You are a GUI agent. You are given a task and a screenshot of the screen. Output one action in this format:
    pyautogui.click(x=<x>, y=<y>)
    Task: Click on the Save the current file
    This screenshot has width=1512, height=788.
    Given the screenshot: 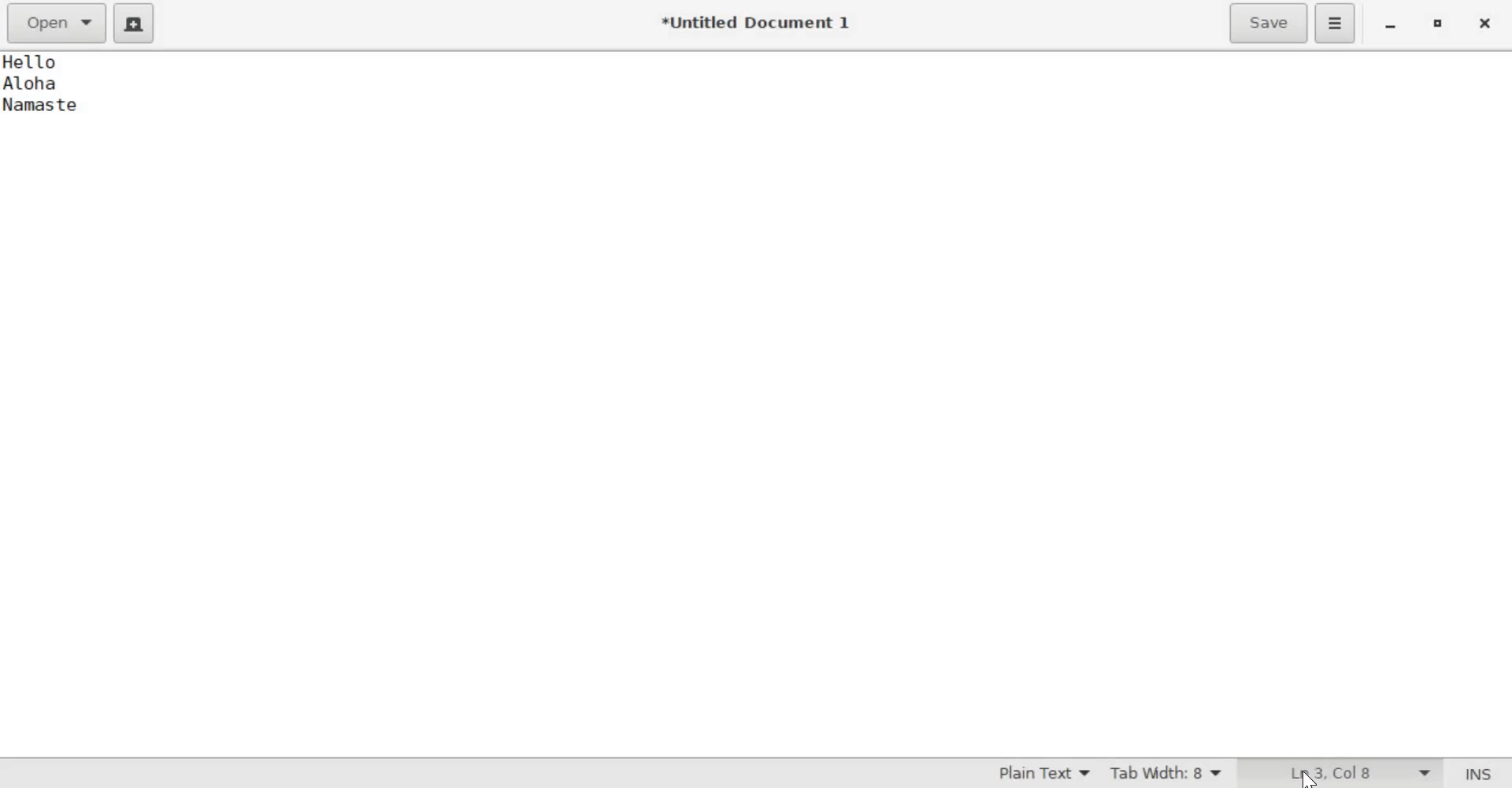 What is the action you would take?
    pyautogui.click(x=1268, y=24)
    